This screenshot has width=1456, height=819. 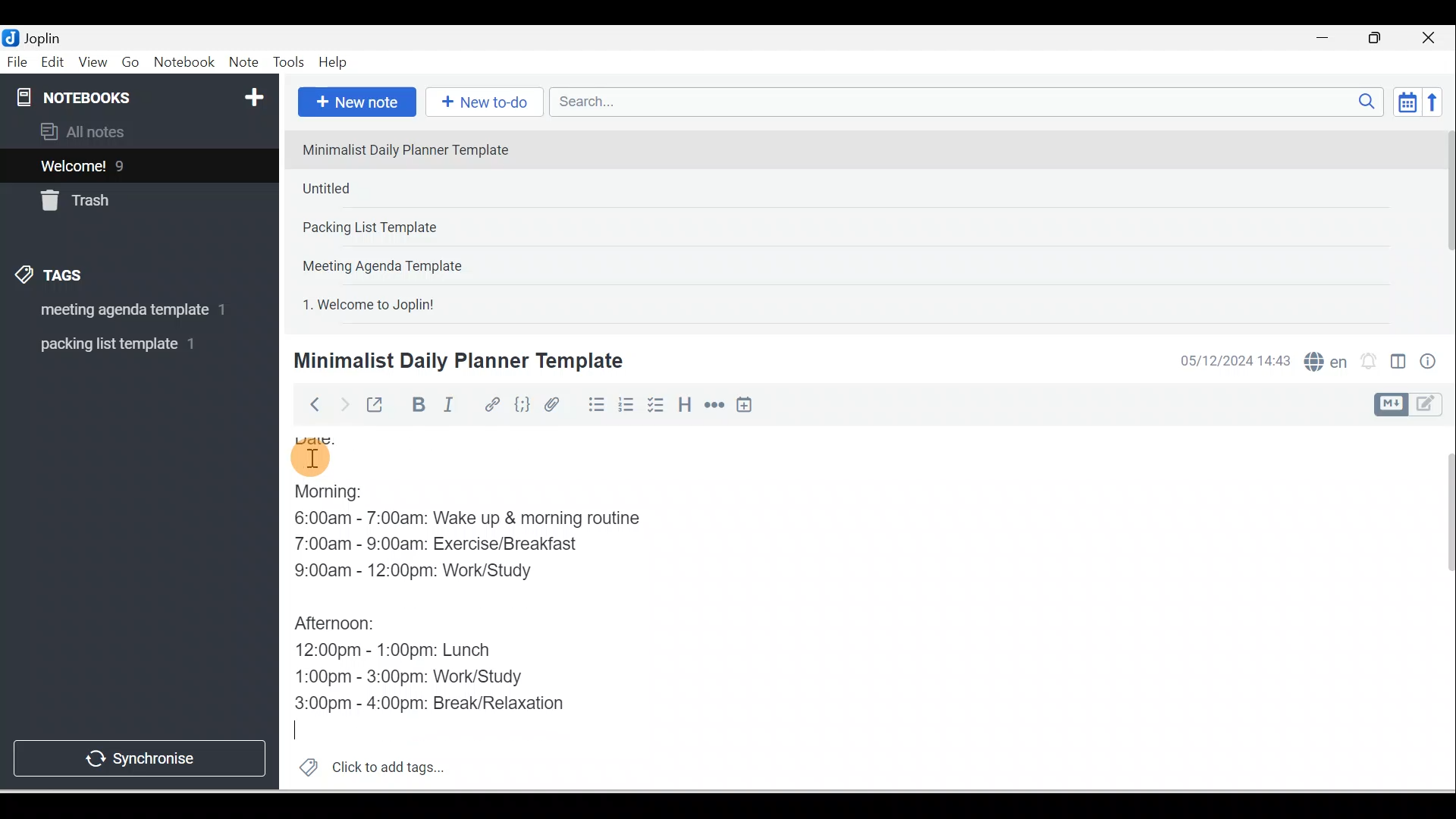 I want to click on 1:00pm - 3:00pm: Work/Study, so click(x=409, y=677).